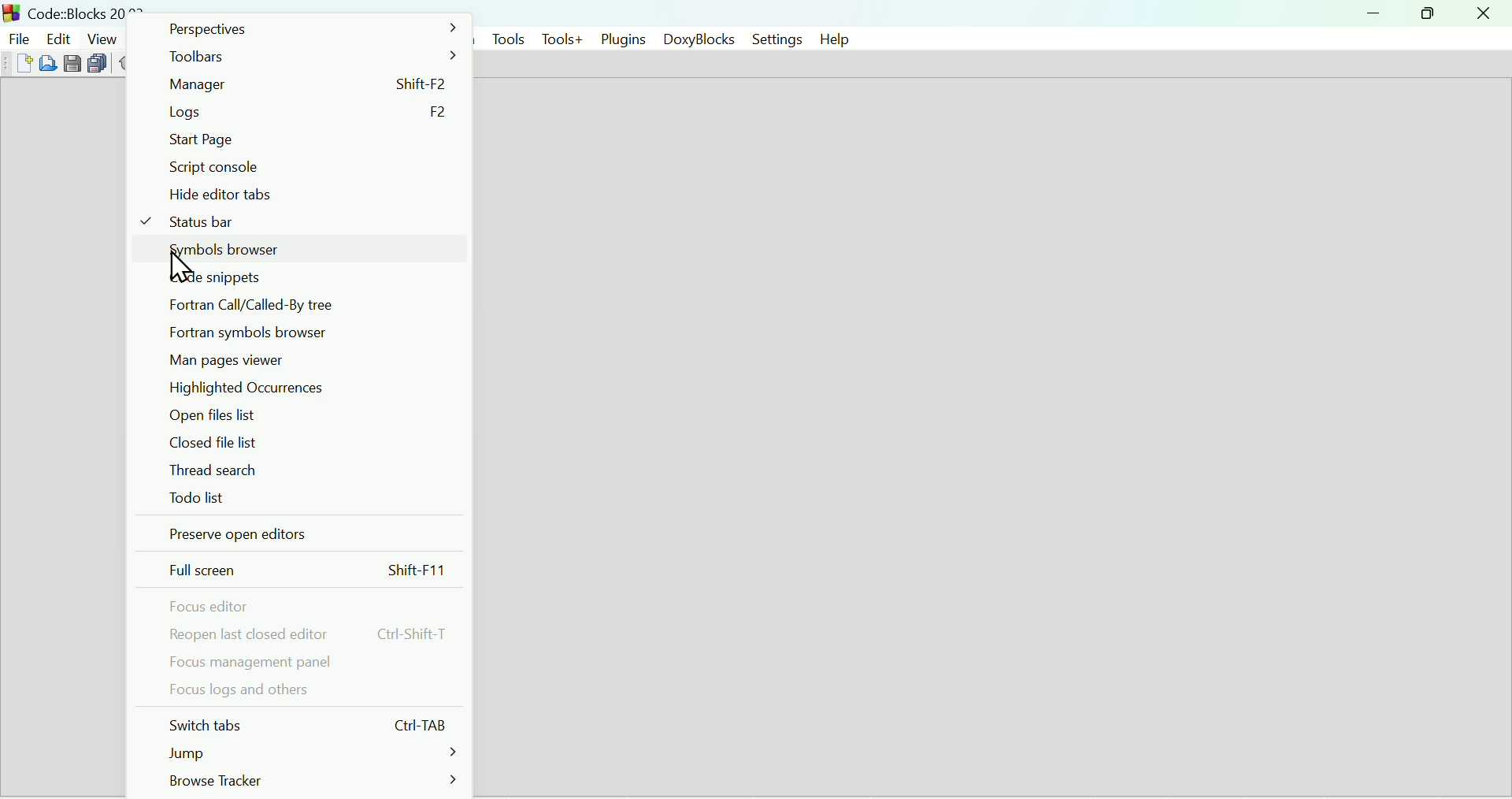 This screenshot has height=799, width=1512. I want to click on File, so click(17, 36).